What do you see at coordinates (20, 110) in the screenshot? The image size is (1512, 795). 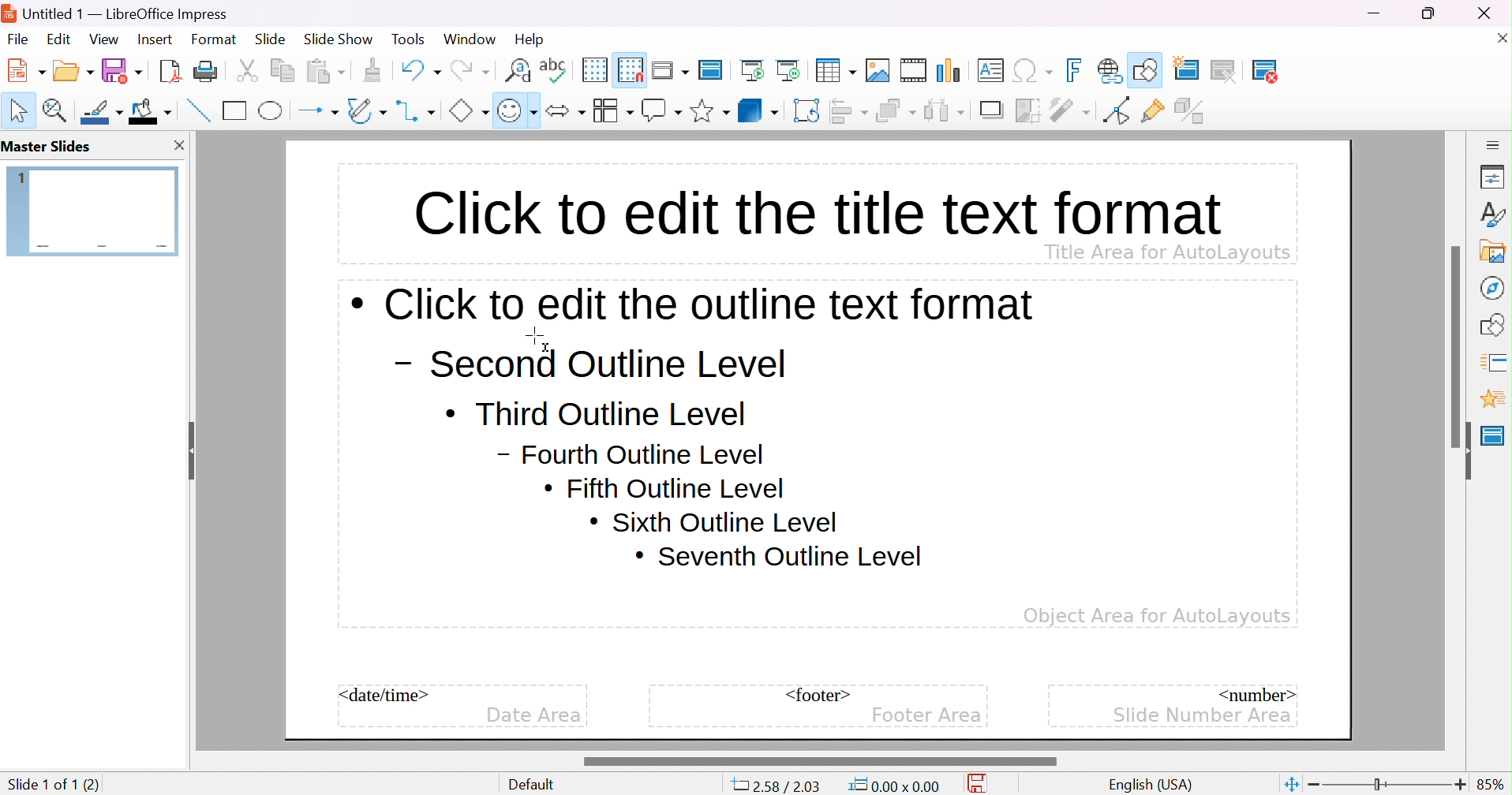 I see `select` at bounding box center [20, 110].